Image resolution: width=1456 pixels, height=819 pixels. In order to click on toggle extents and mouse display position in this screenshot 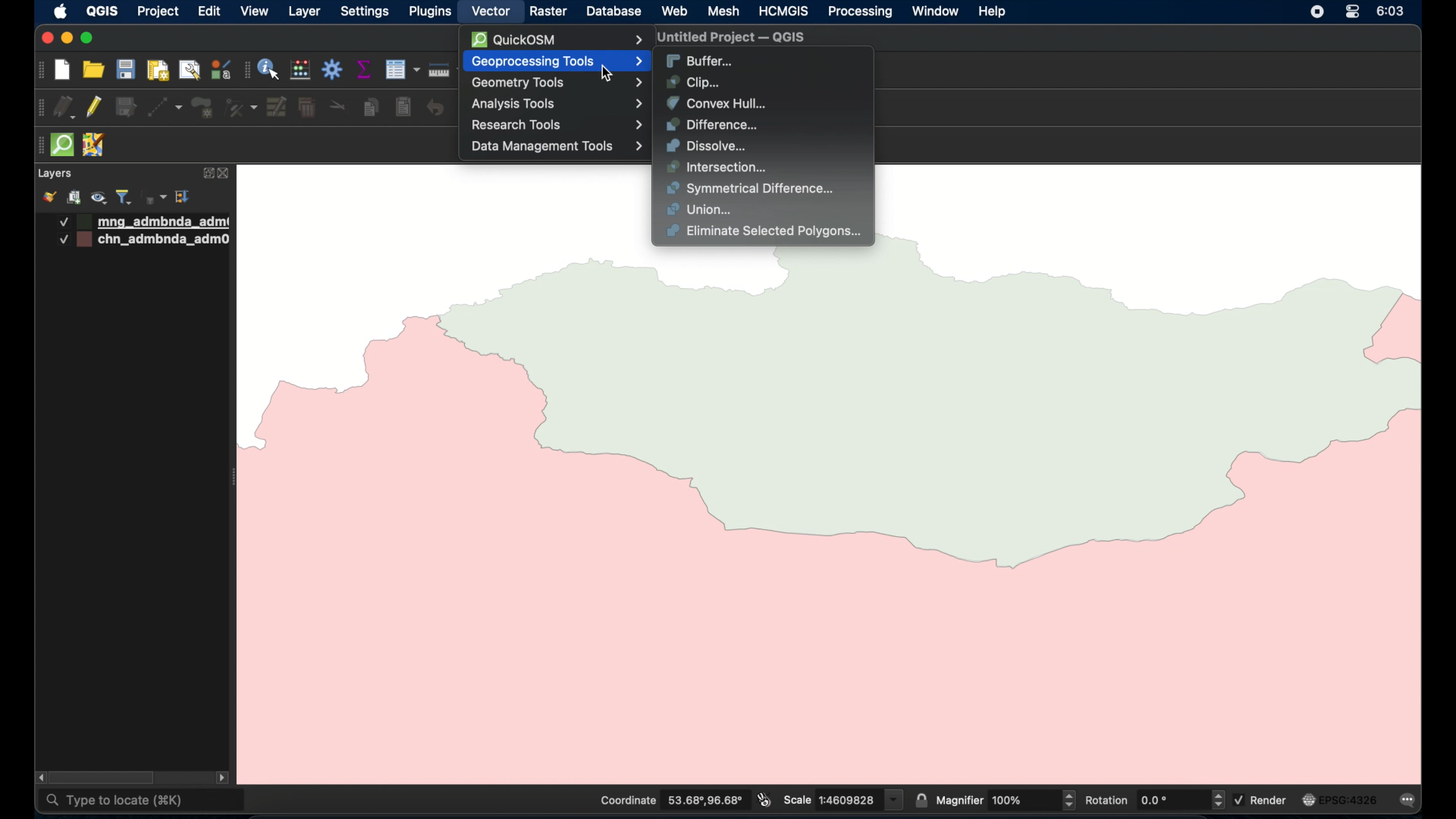, I will do `click(764, 799)`.